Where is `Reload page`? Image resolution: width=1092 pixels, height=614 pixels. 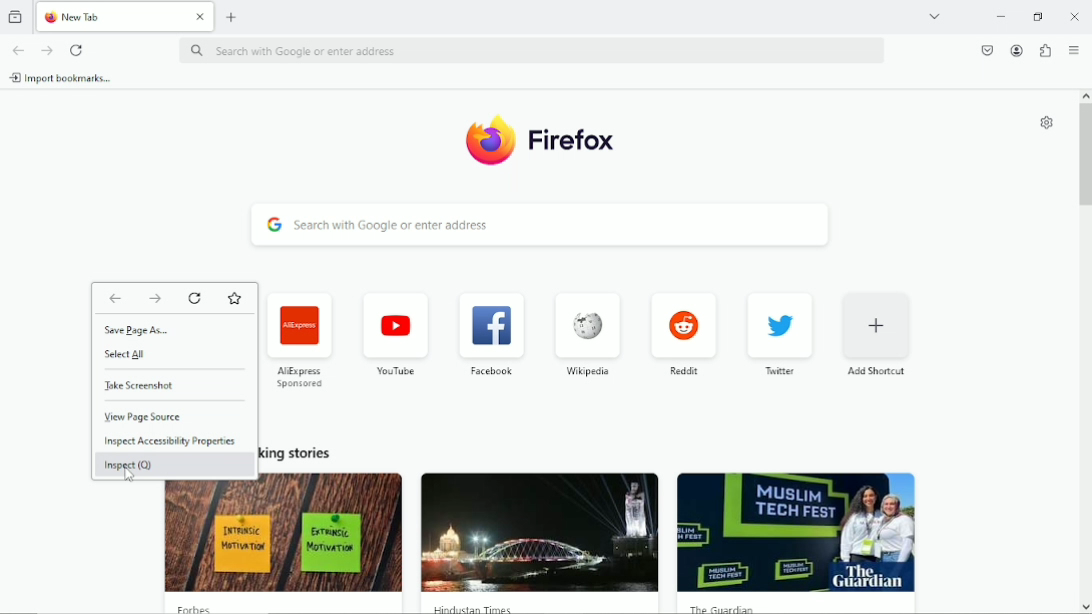
Reload page is located at coordinates (196, 298).